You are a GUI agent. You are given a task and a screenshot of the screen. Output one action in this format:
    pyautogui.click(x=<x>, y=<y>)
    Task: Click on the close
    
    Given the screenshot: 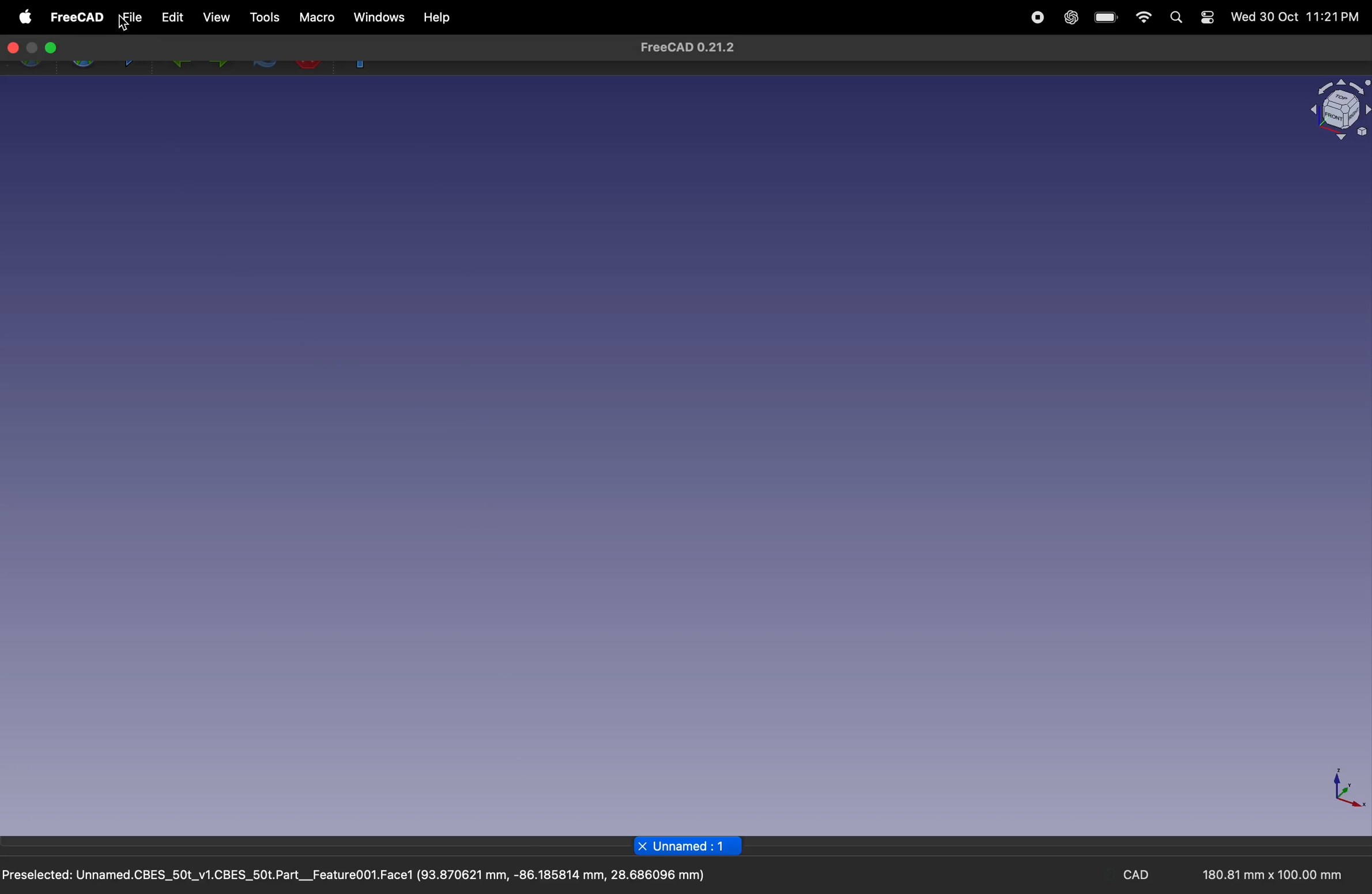 What is the action you would take?
    pyautogui.click(x=13, y=49)
    